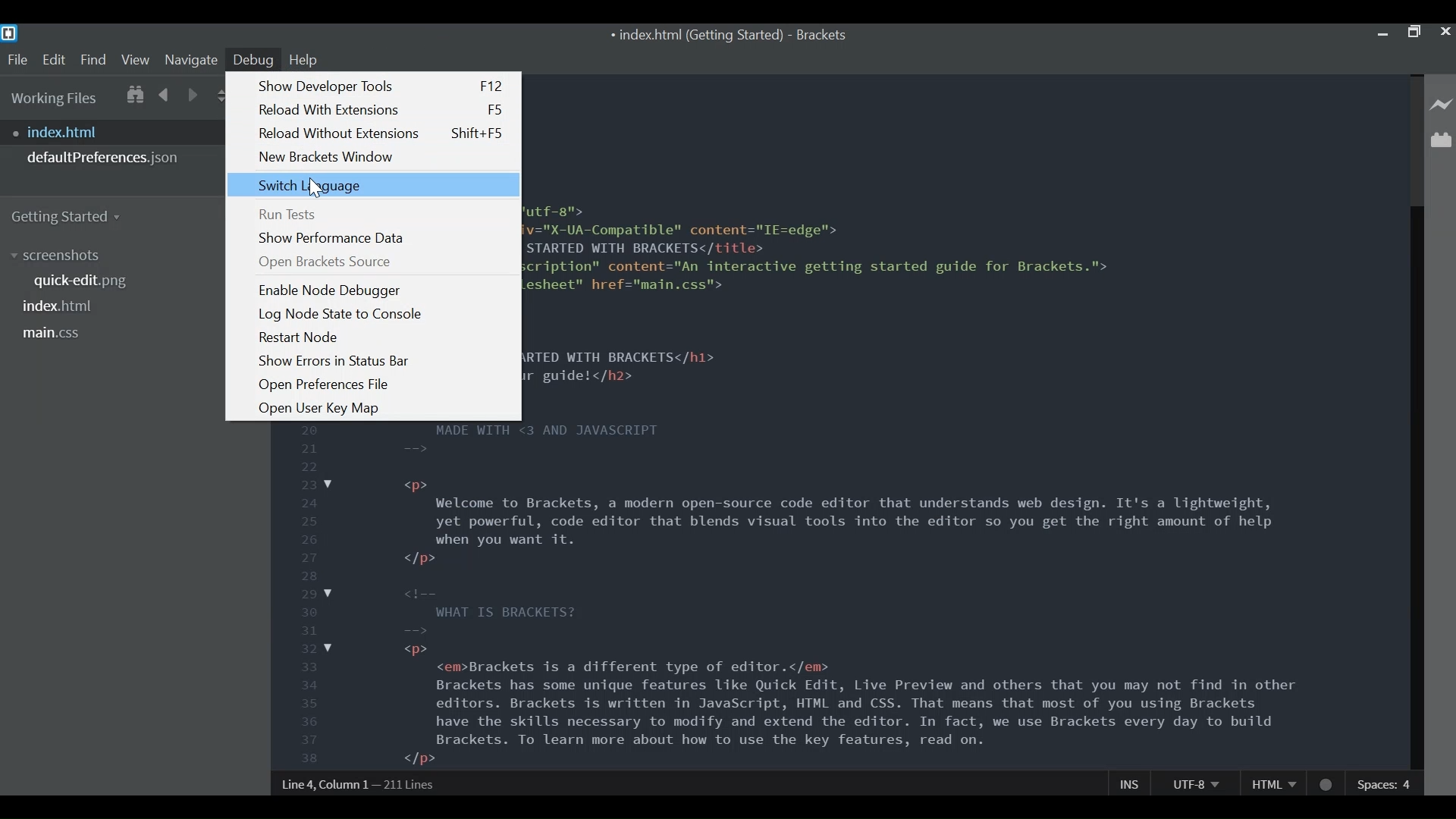 The image size is (1456, 819). Describe the element at coordinates (1386, 783) in the screenshot. I see `Spaces: 4` at that location.